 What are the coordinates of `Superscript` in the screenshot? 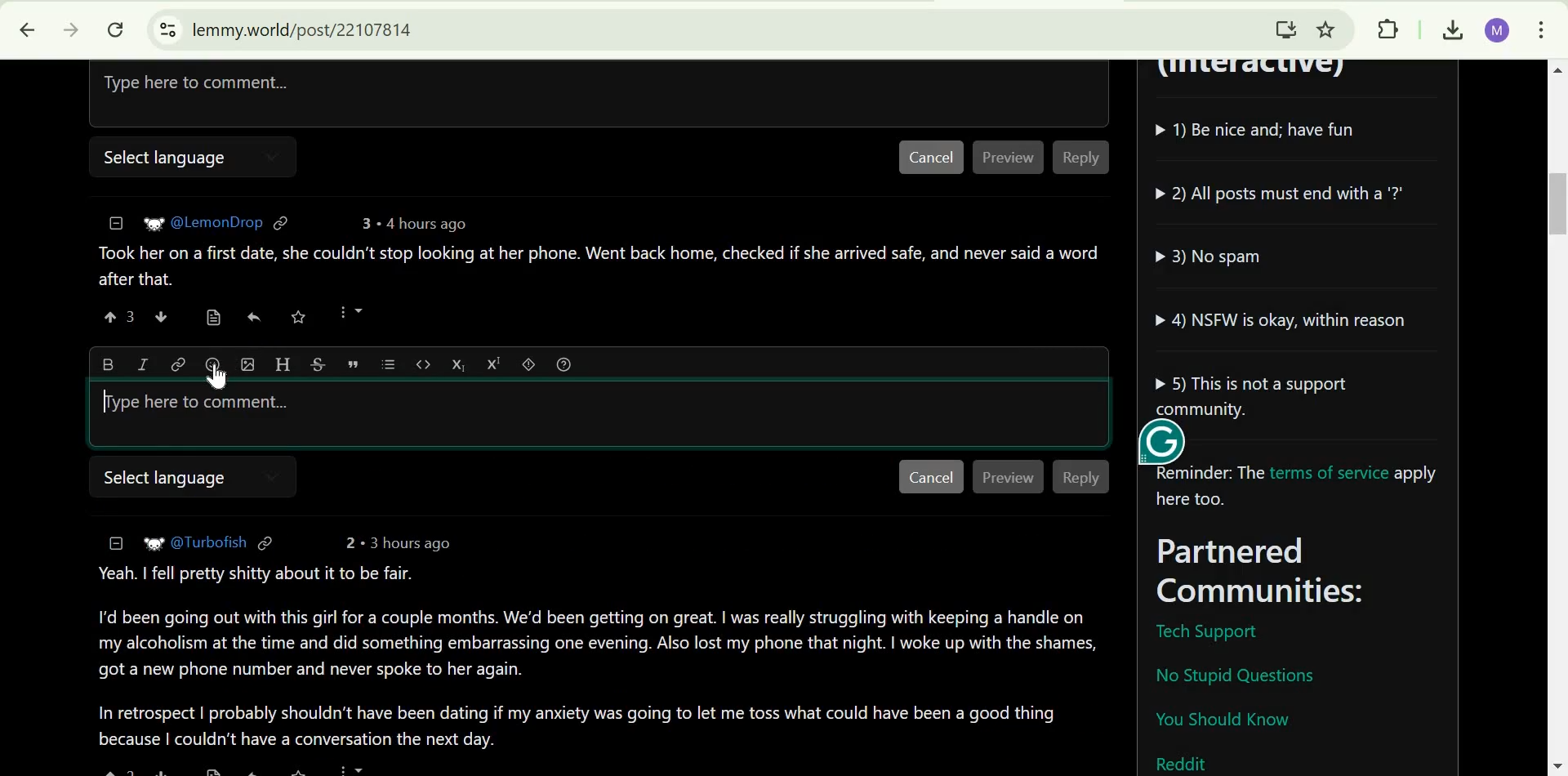 It's located at (493, 363).